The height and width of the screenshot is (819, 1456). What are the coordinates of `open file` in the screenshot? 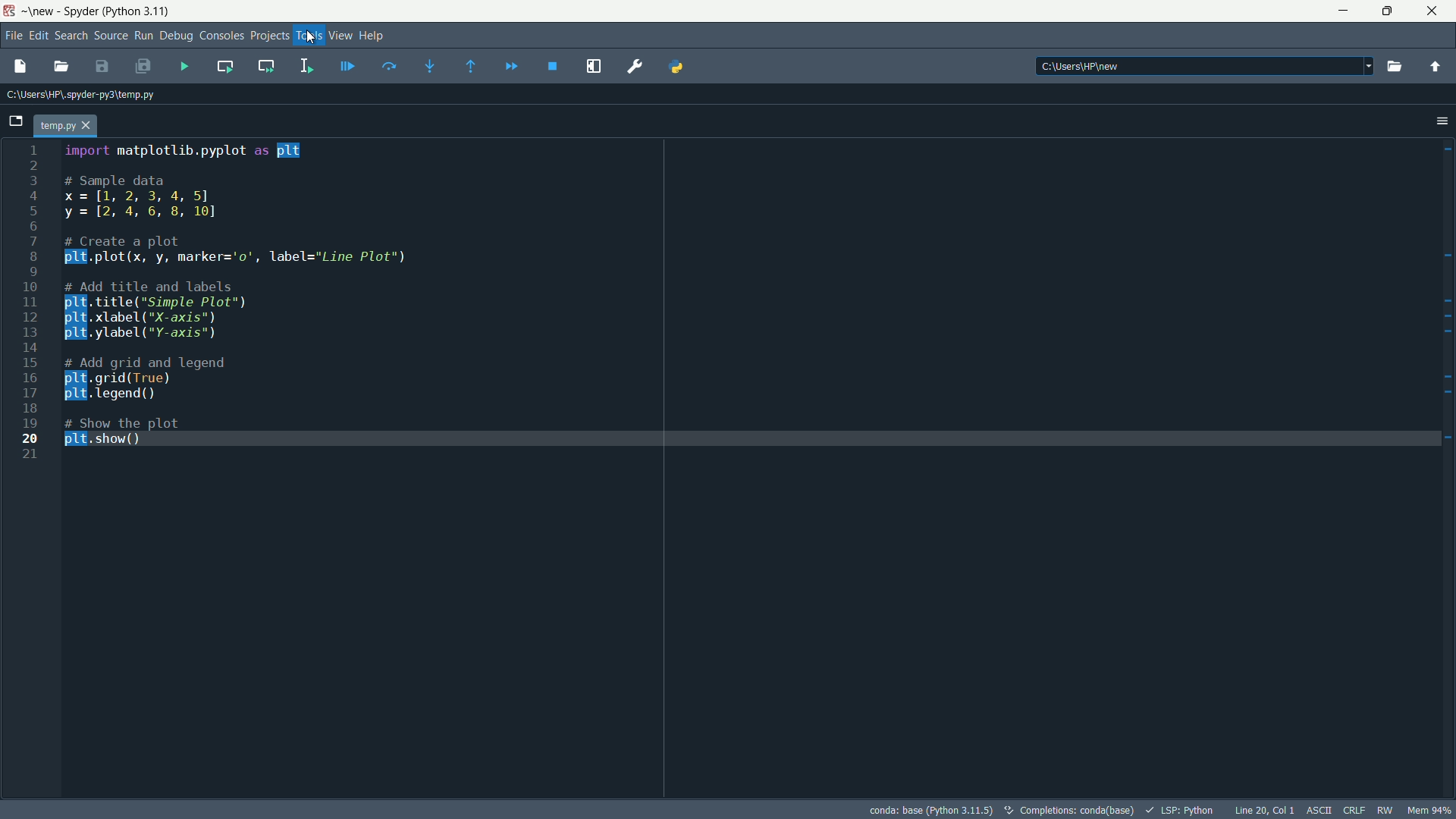 It's located at (62, 67).